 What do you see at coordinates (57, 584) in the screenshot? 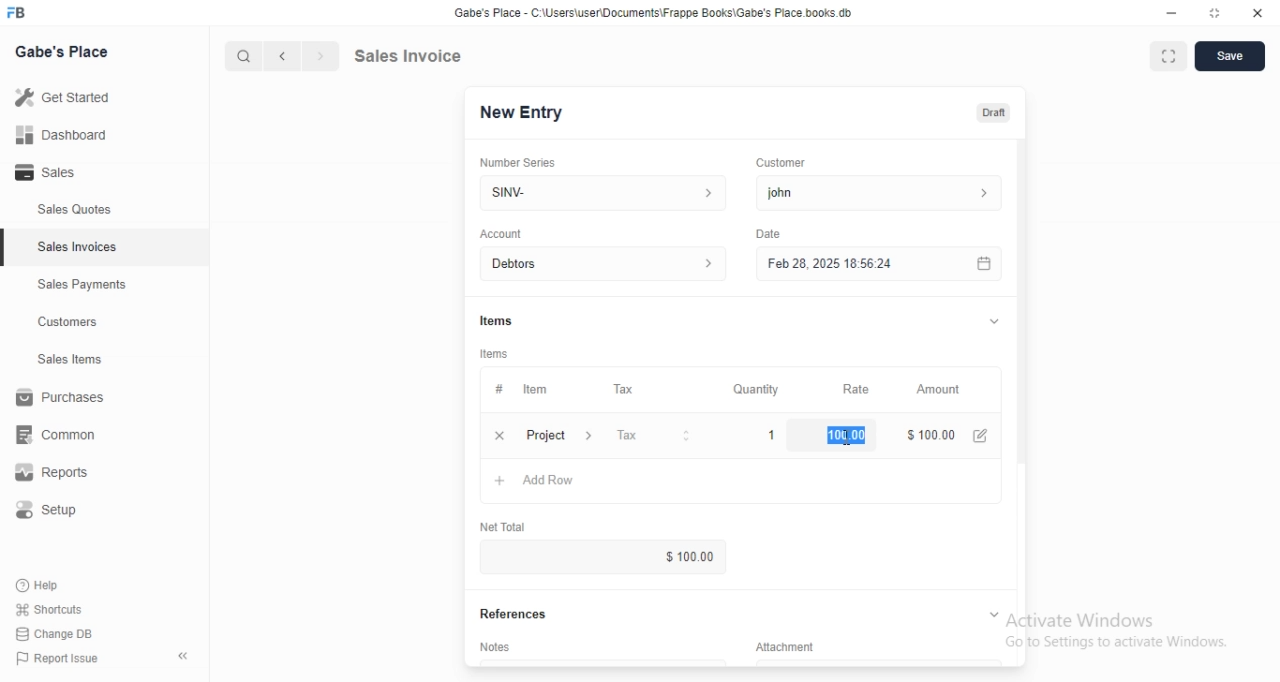
I see `Help` at bounding box center [57, 584].